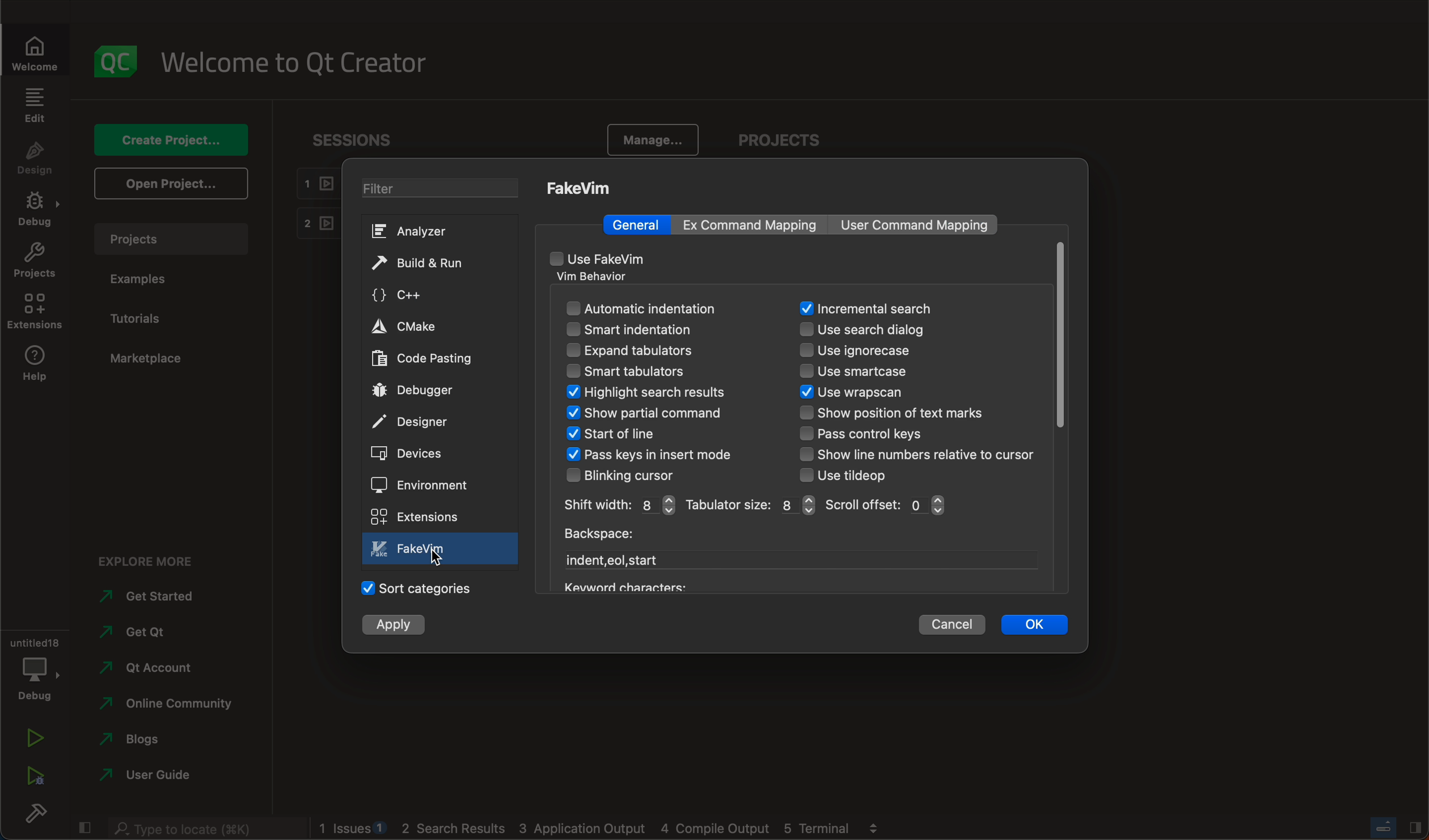 Image resolution: width=1429 pixels, height=840 pixels. Describe the element at coordinates (895, 415) in the screenshot. I see `text marks` at that location.